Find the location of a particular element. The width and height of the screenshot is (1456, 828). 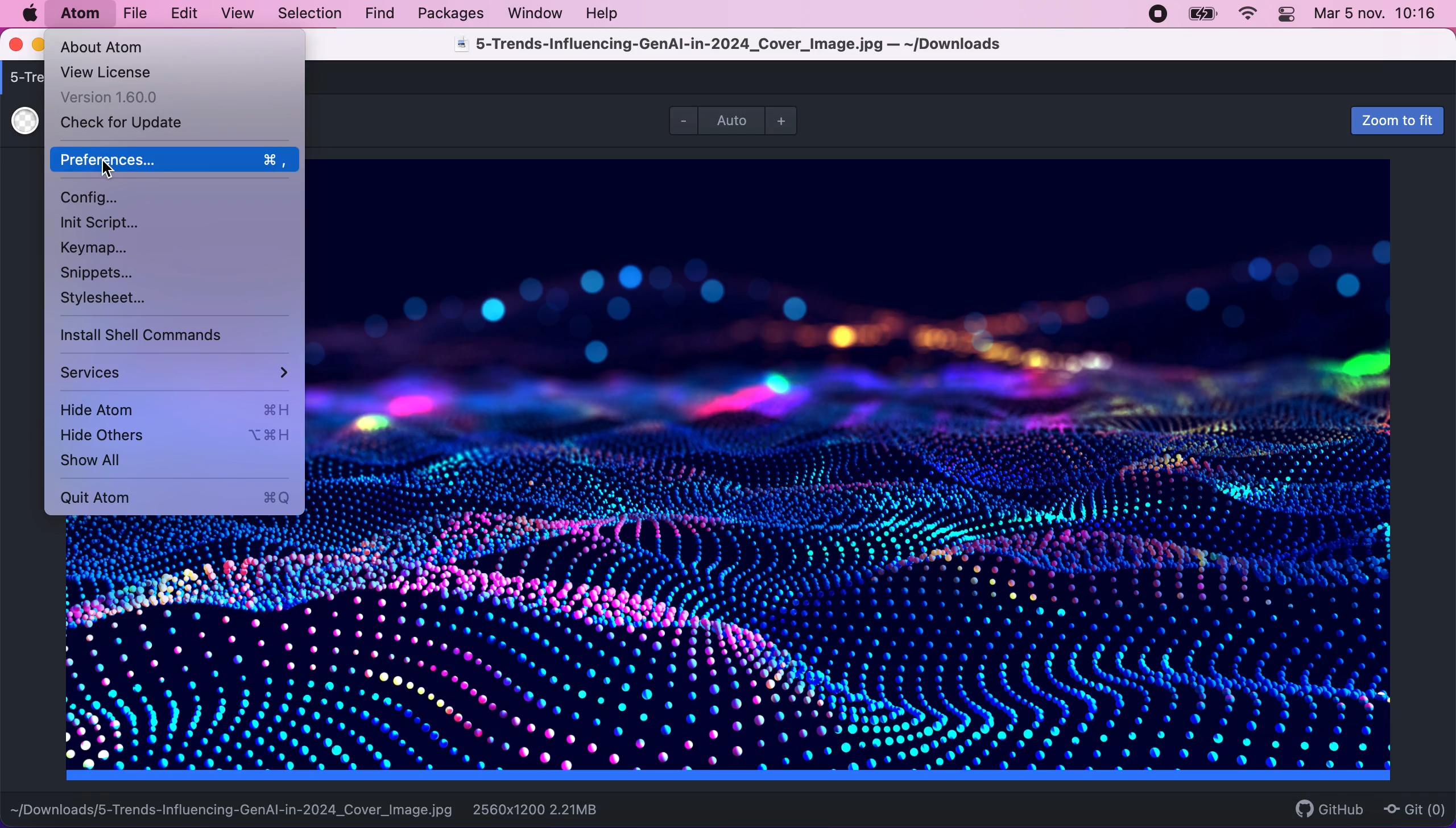

zoom is located at coordinates (739, 120).